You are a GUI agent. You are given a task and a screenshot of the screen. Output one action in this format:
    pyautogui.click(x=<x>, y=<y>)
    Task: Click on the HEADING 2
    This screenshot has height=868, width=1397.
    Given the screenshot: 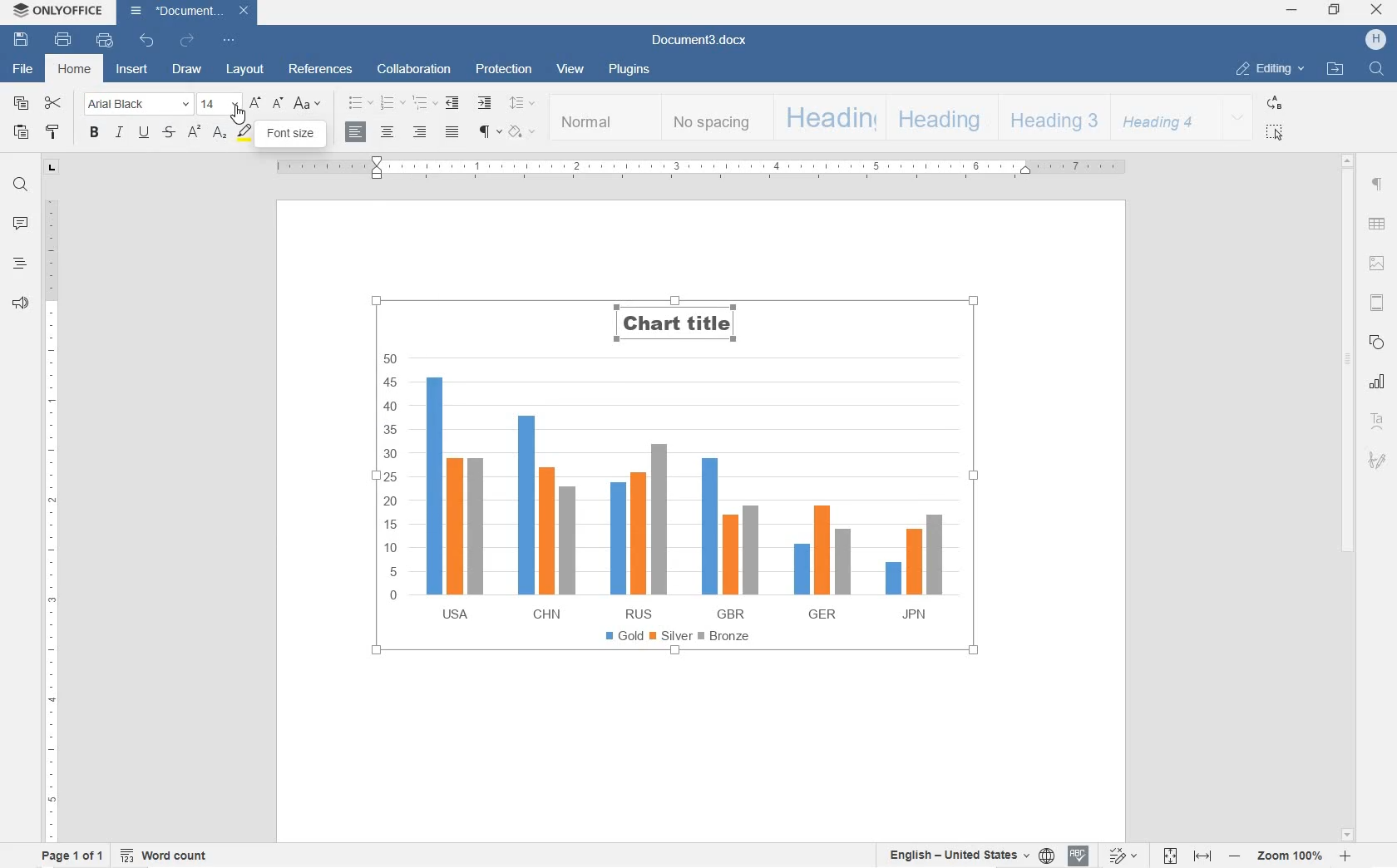 What is the action you would take?
    pyautogui.click(x=939, y=118)
    